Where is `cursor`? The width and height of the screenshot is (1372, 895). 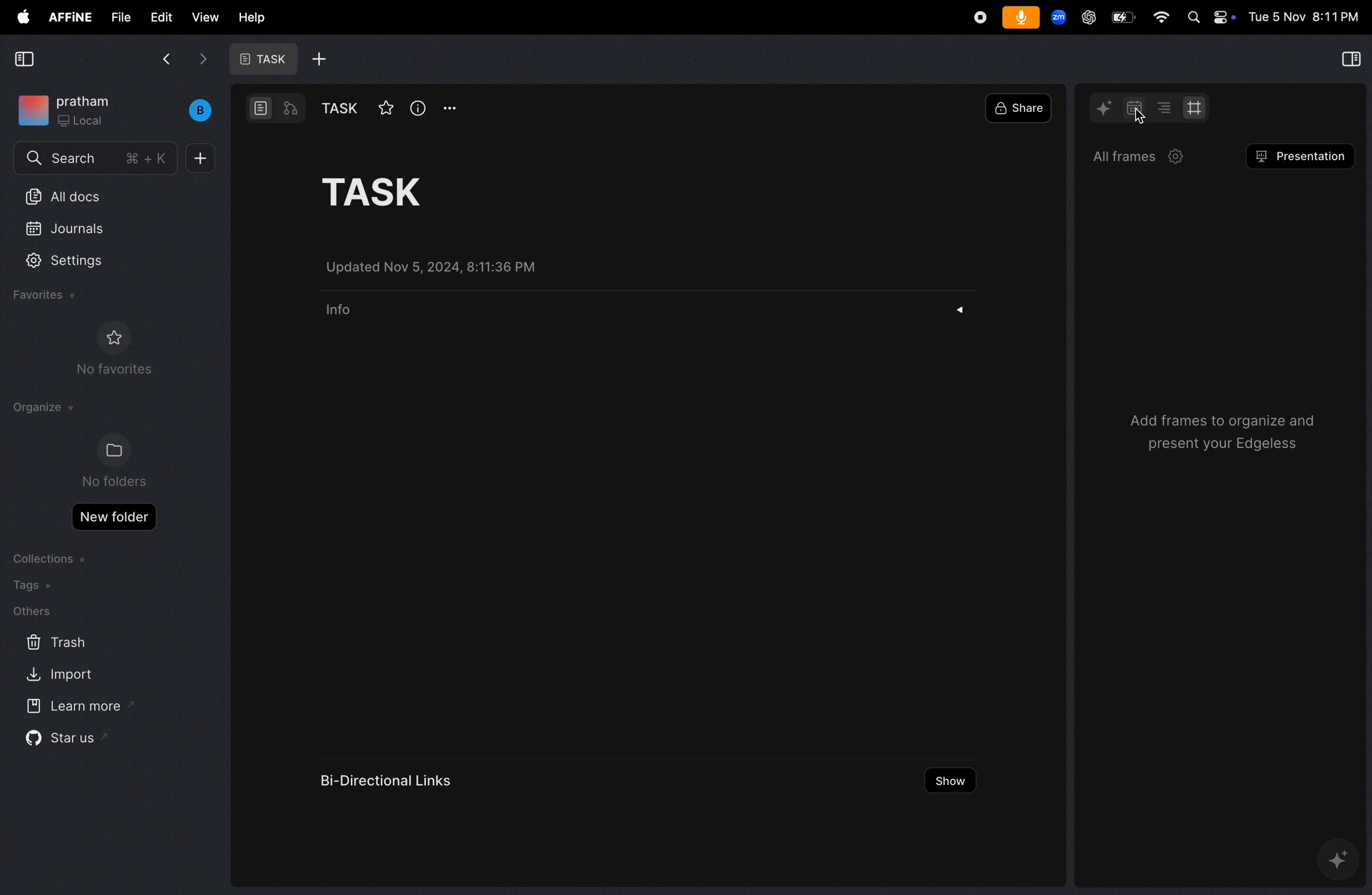
cursor is located at coordinates (1136, 118).